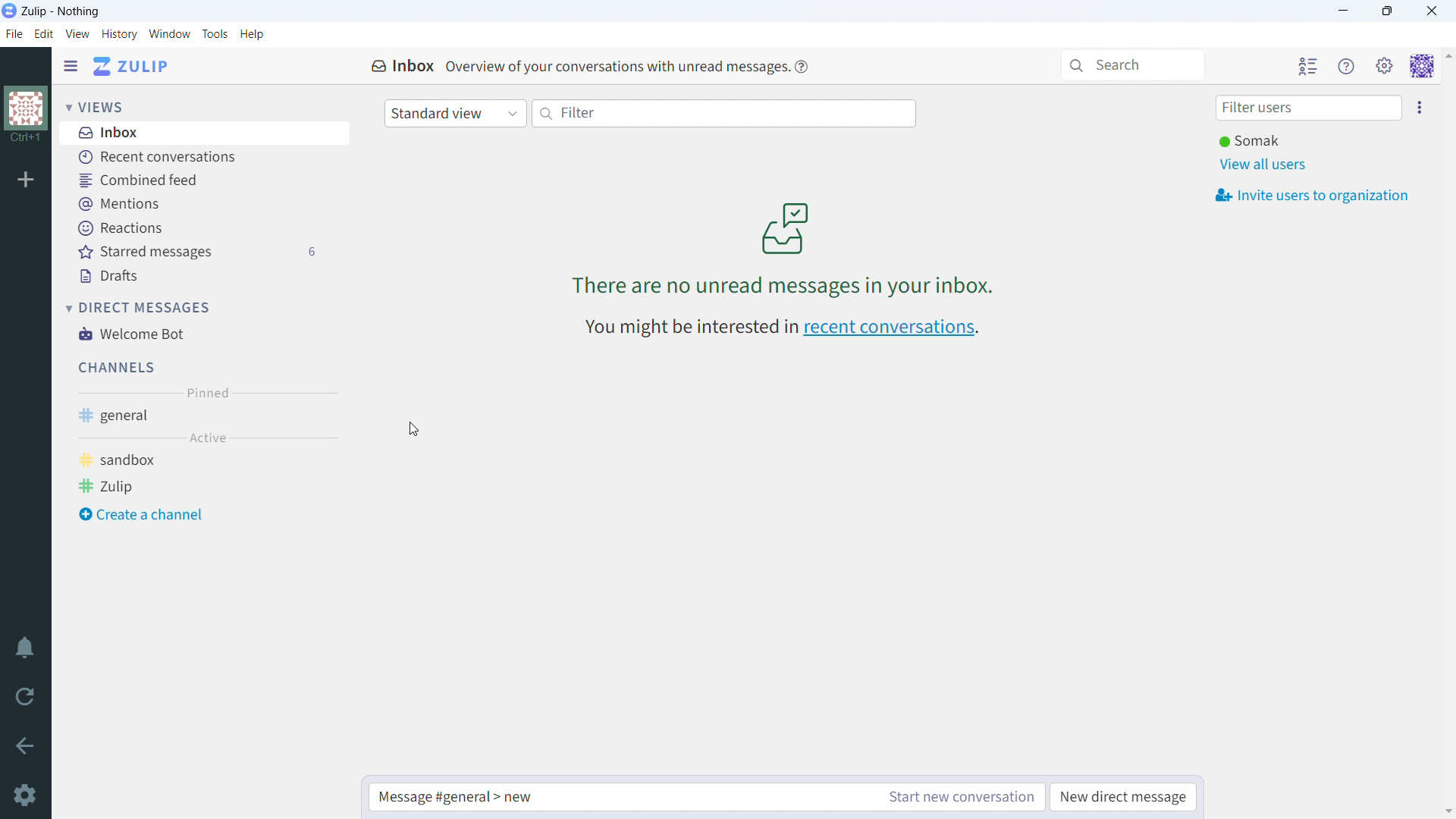 This screenshot has width=1456, height=819. Describe the element at coordinates (1385, 67) in the screenshot. I see `main menu` at that location.